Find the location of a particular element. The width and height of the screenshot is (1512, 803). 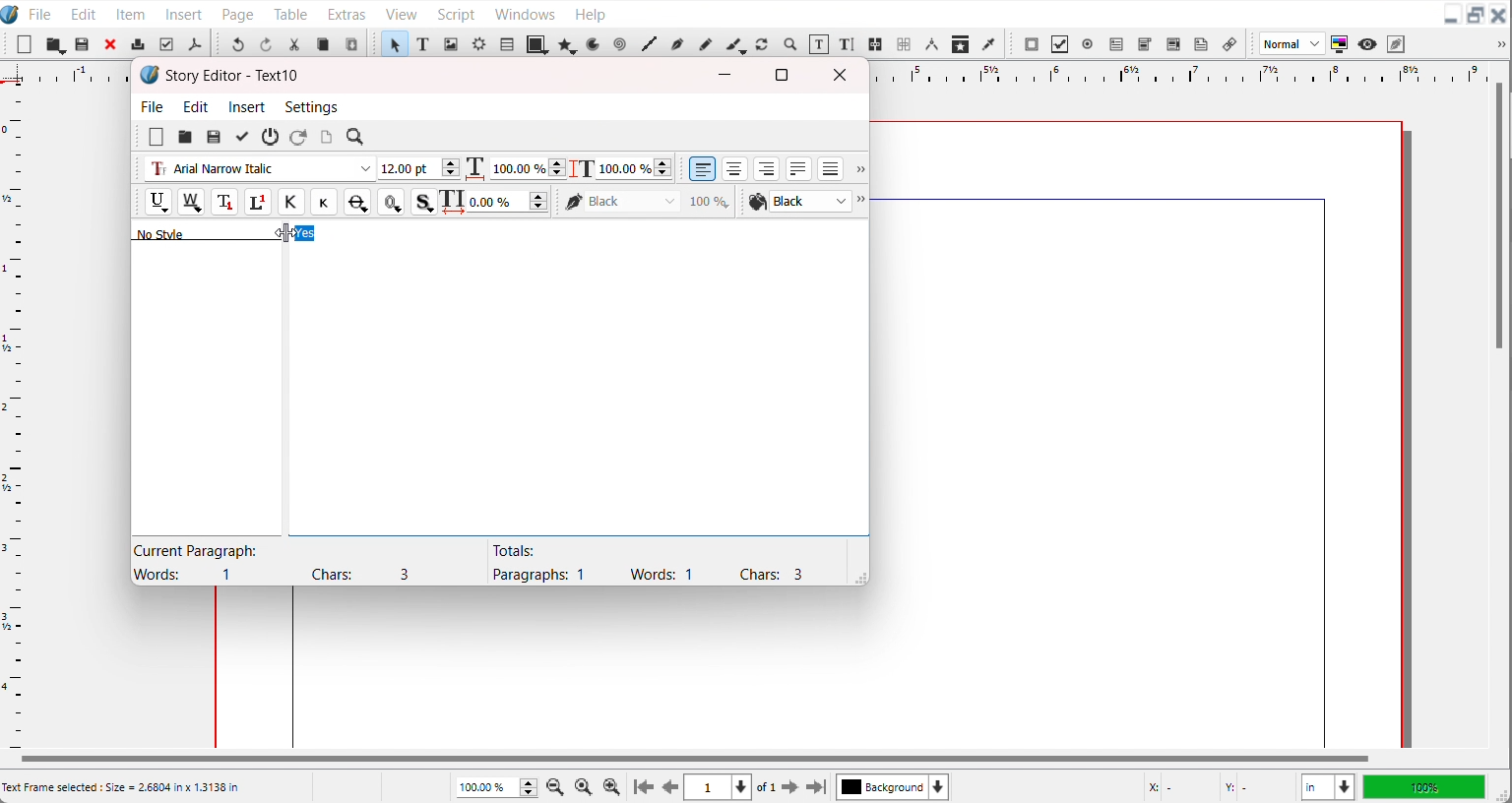

Close is located at coordinates (111, 43).